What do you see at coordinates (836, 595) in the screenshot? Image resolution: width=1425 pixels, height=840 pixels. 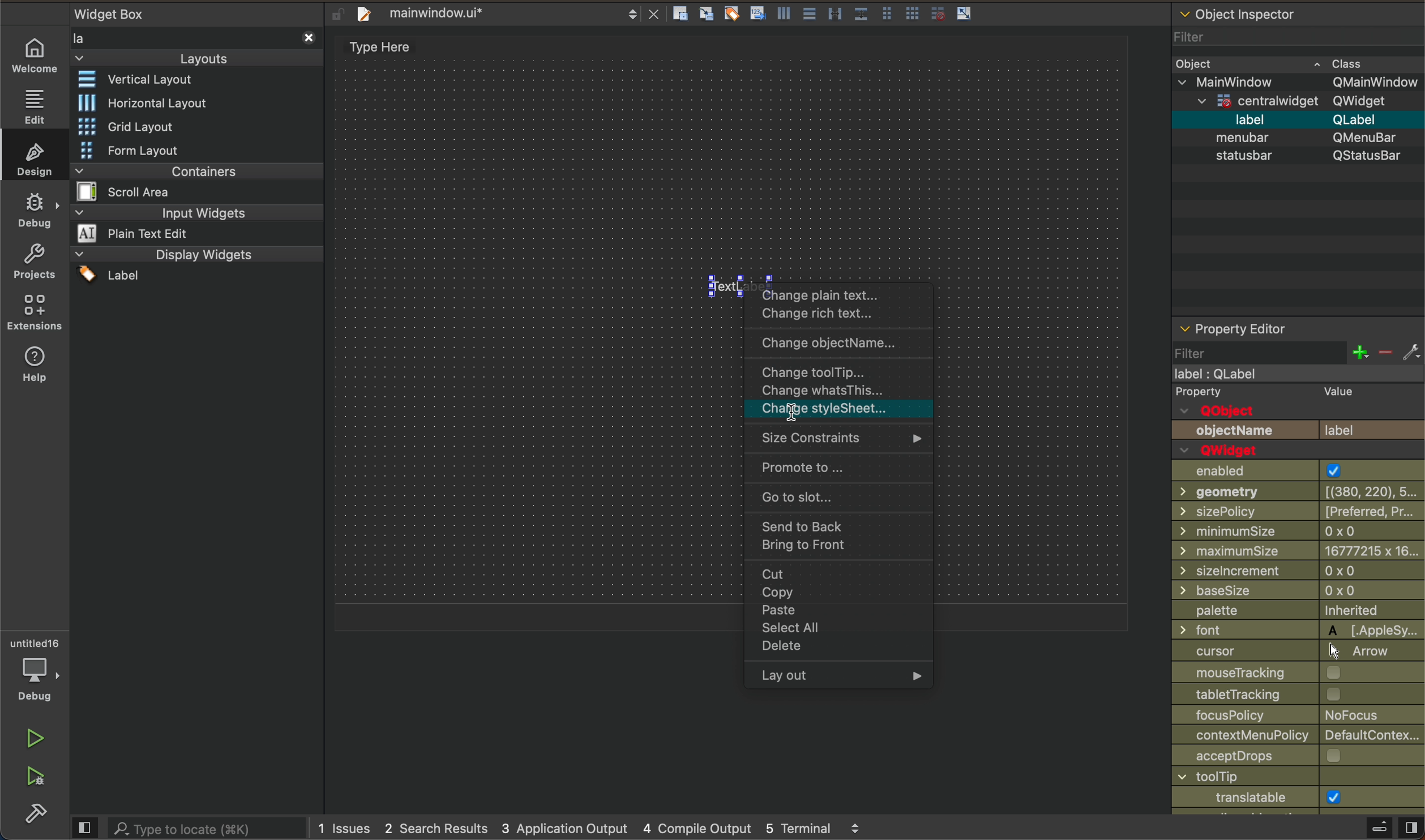 I see `copy` at bounding box center [836, 595].